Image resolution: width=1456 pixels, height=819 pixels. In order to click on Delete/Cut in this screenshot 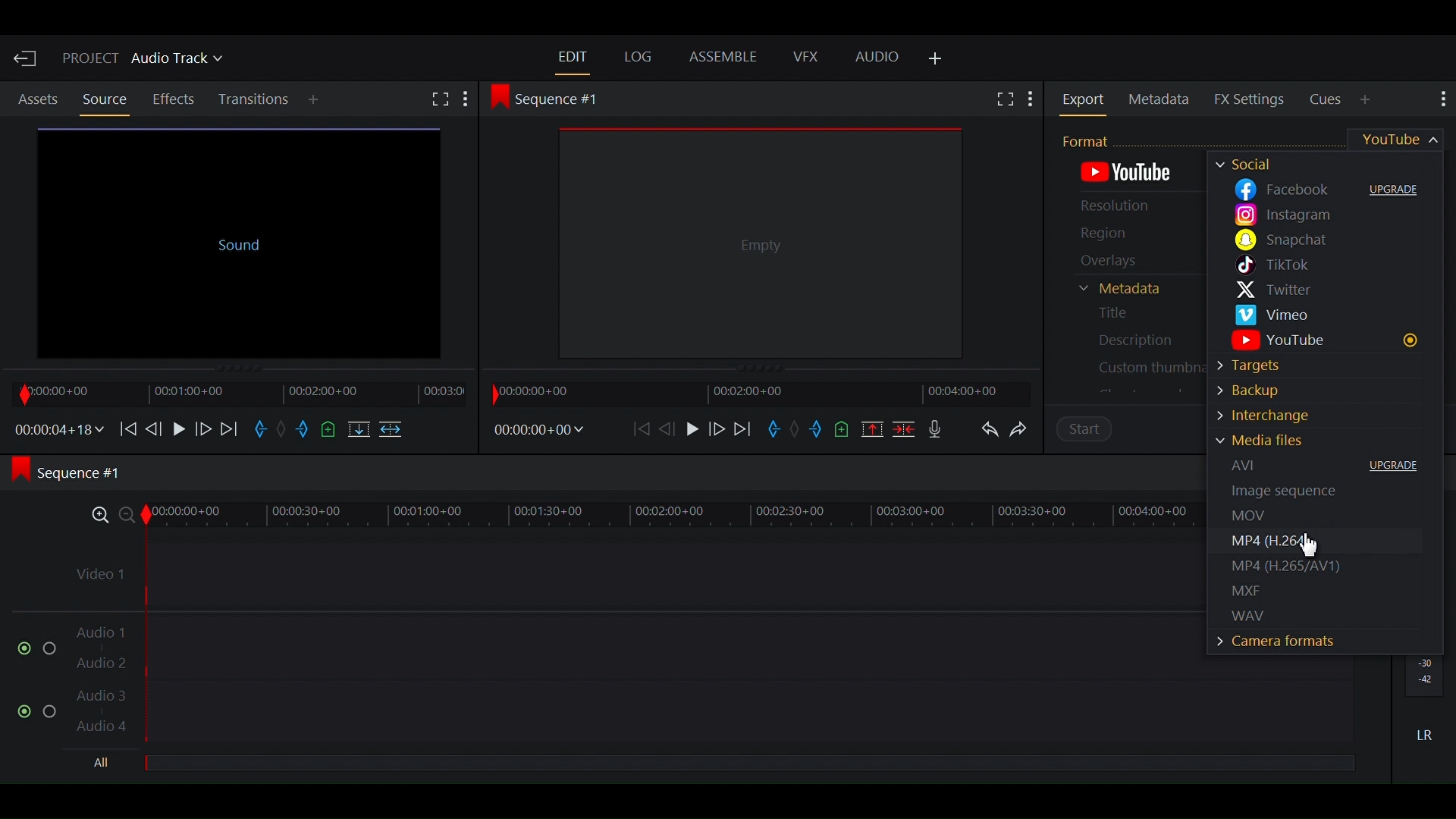, I will do `click(903, 428)`.